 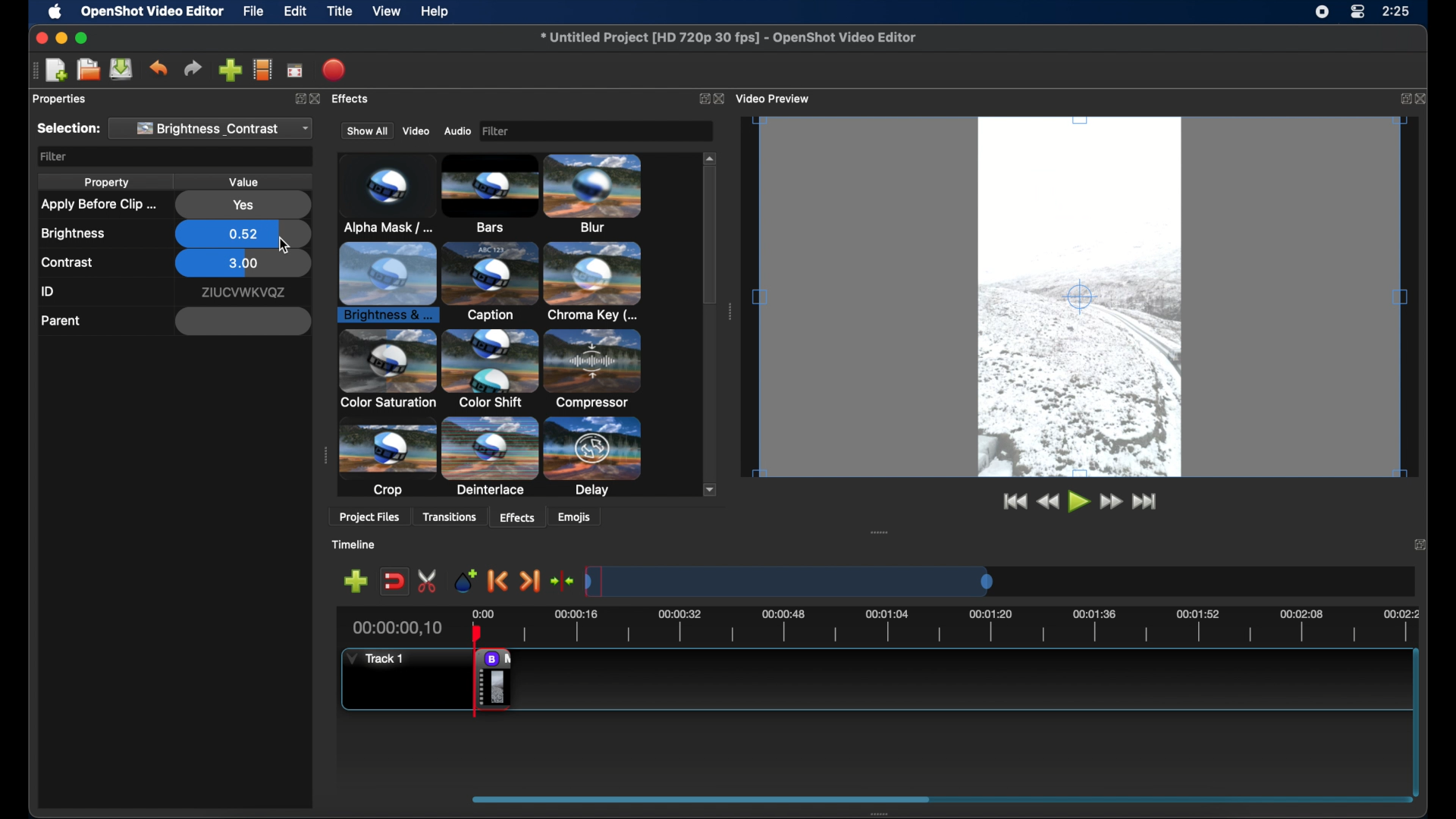 What do you see at coordinates (779, 97) in the screenshot?
I see `video preview` at bounding box center [779, 97].